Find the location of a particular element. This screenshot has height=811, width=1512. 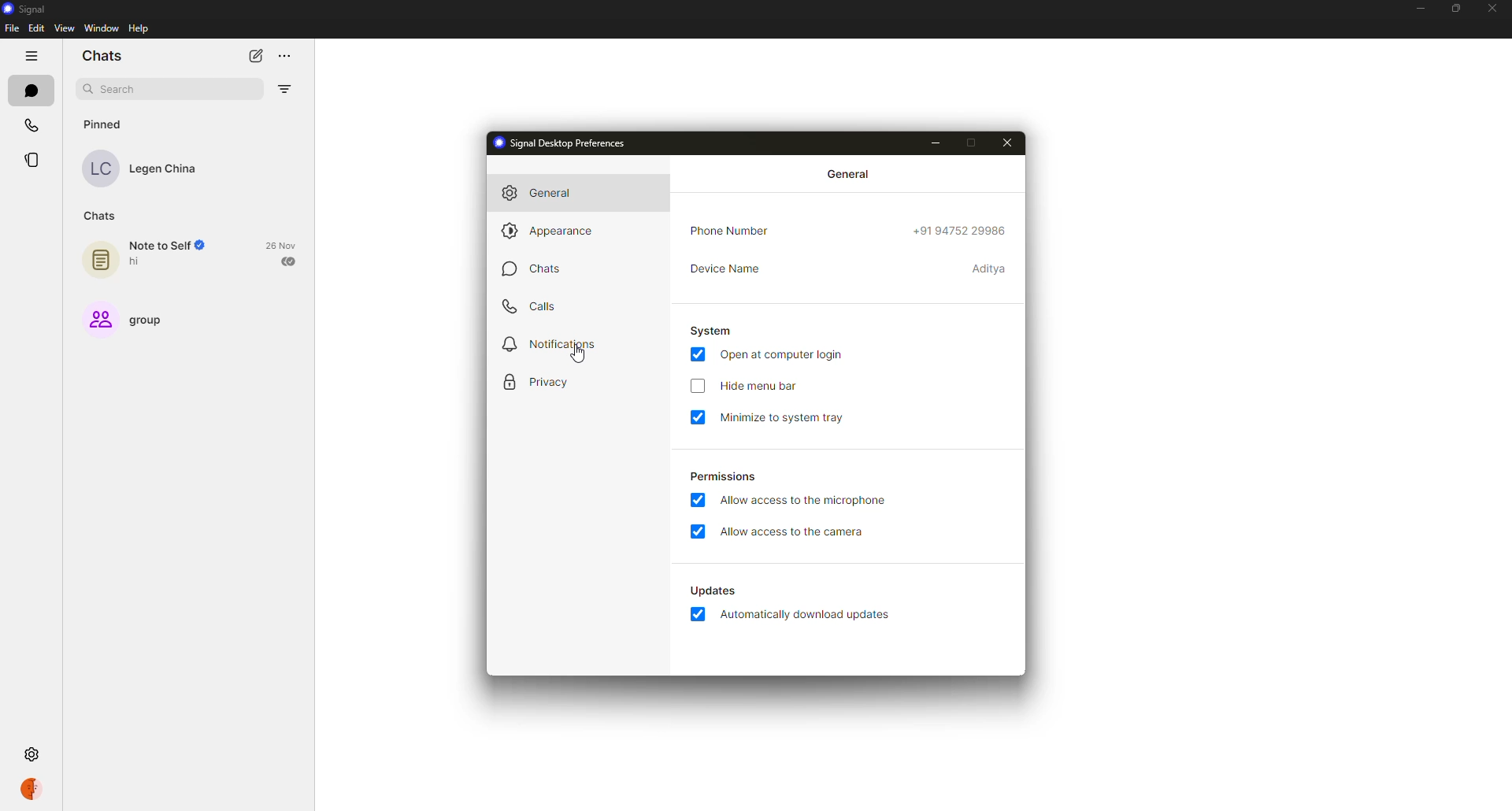

search is located at coordinates (121, 89).